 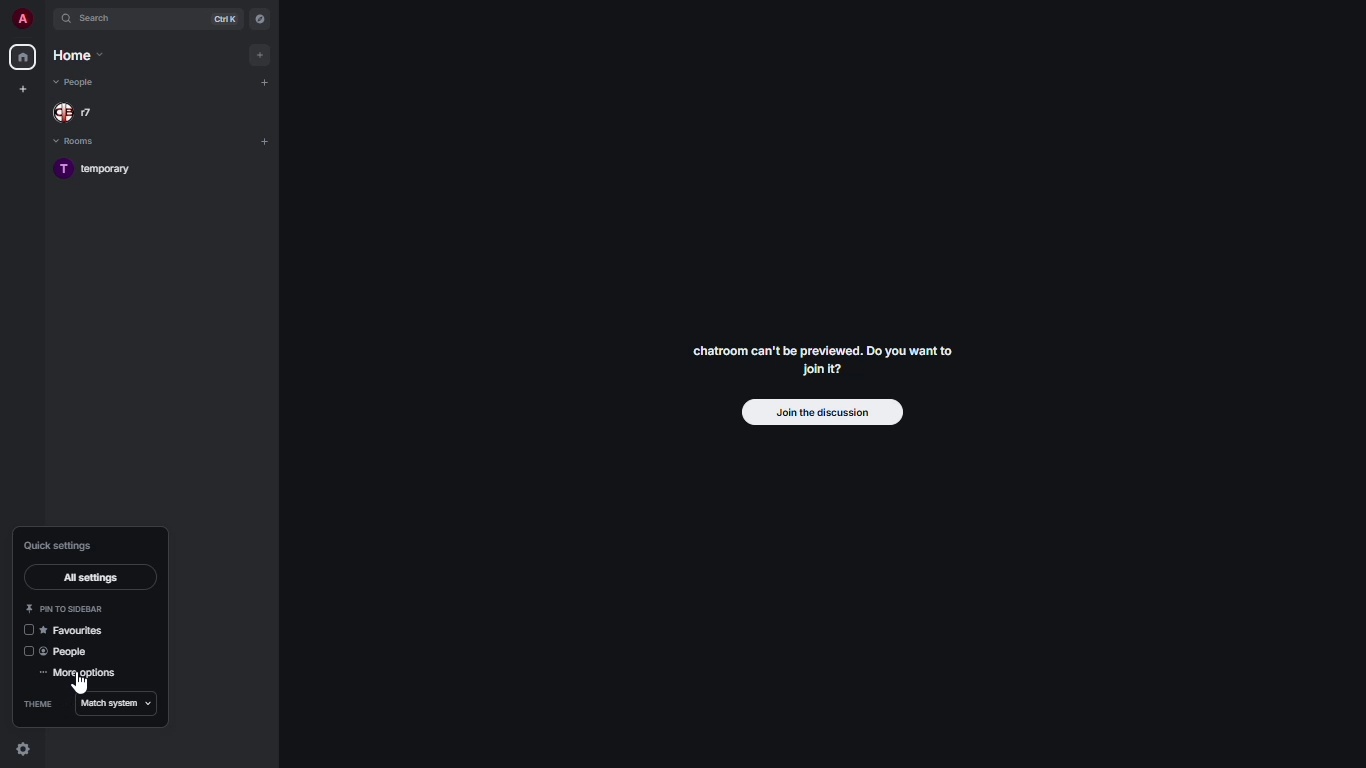 I want to click on profile, so click(x=19, y=19).